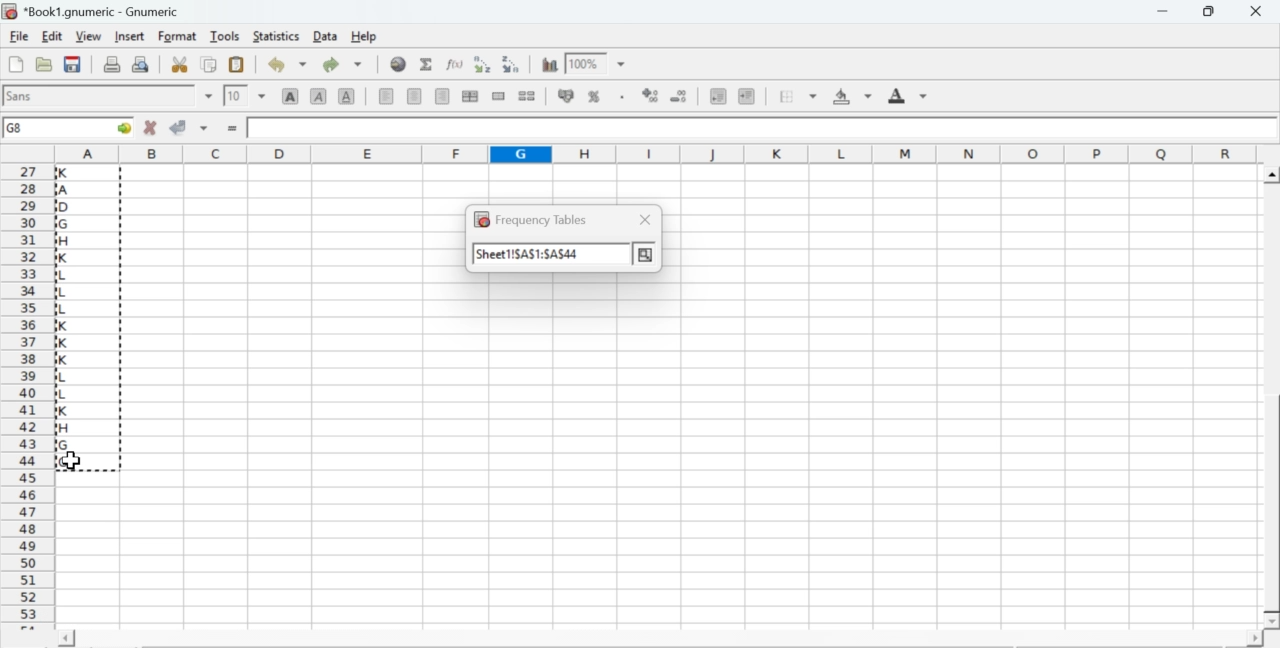 This screenshot has width=1280, height=648. What do you see at coordinates (234, 129) in the screenshot?
I see `enter formula` at bounding box center [234, 129].